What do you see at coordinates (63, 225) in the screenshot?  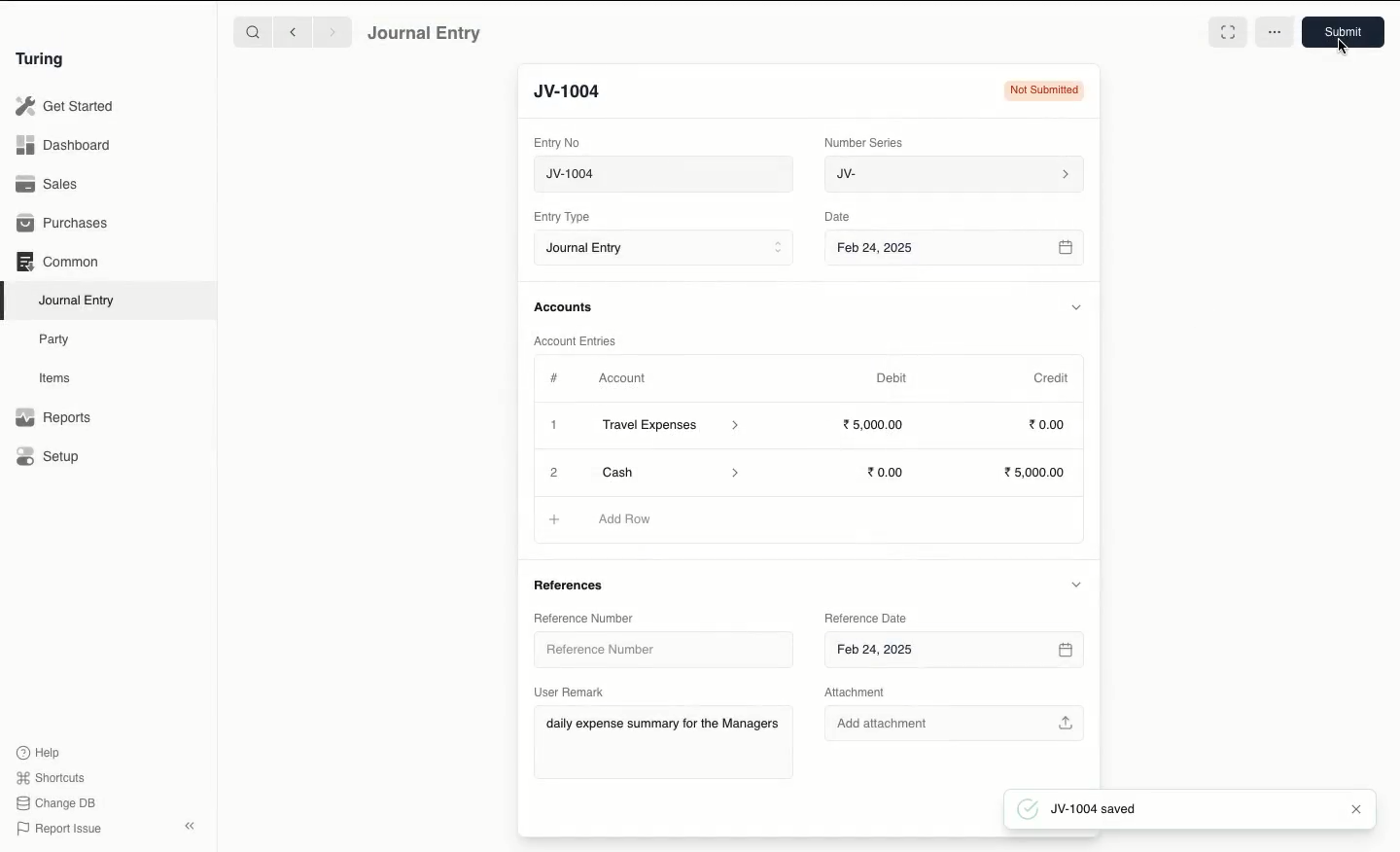 I see `Purchases` at bounding box center [63, 225].